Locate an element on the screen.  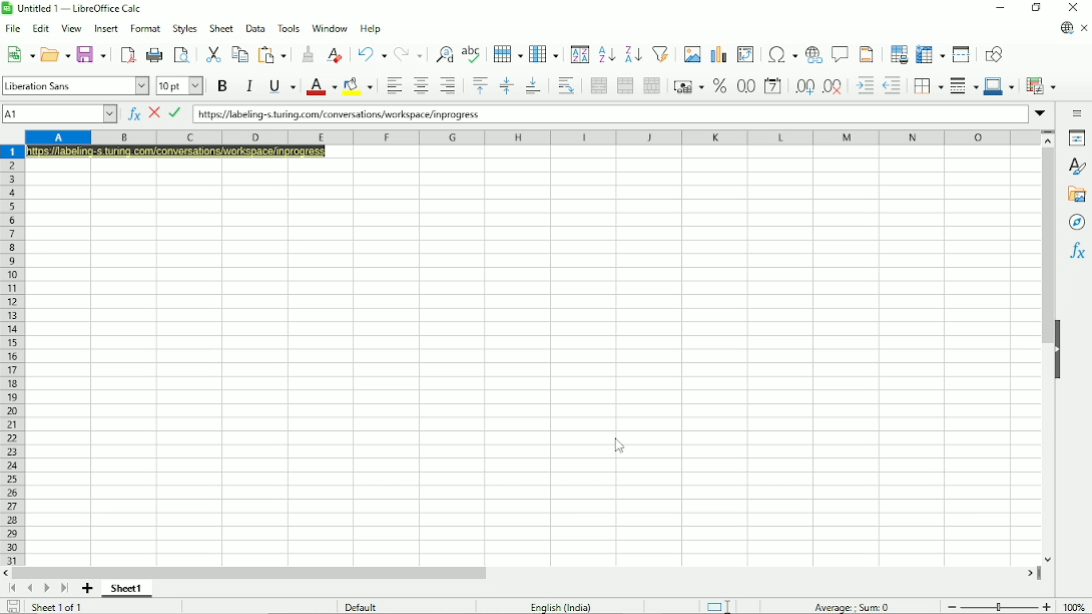
https:// labeling~s.turing.com/conversations/workspace/inprogress. is located at coordinates (177, 151).